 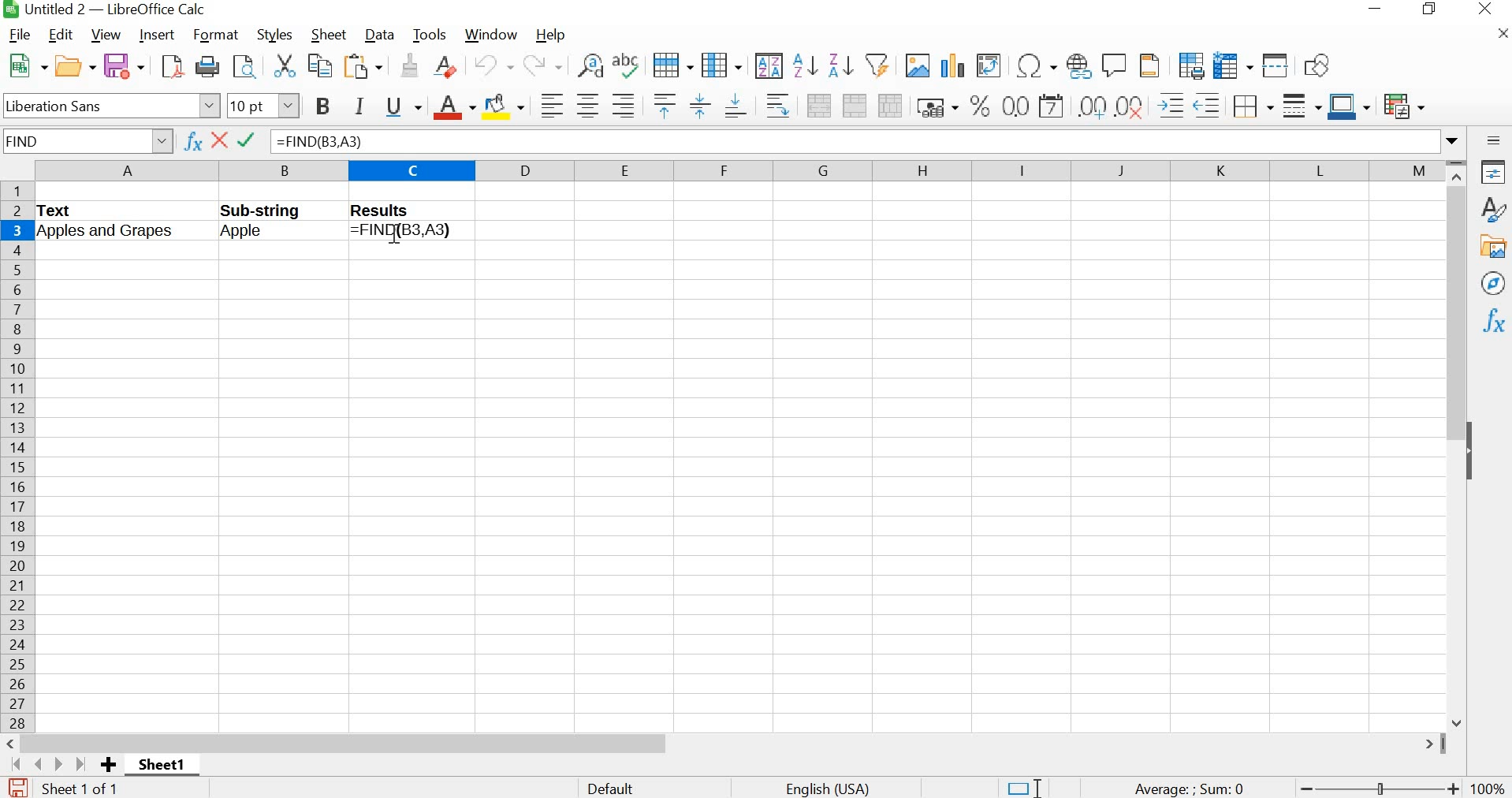 What do you see at coordinates (1130, 106) in the screenshot?
I see `delete decimal place` at bounding box center [1130, 106].